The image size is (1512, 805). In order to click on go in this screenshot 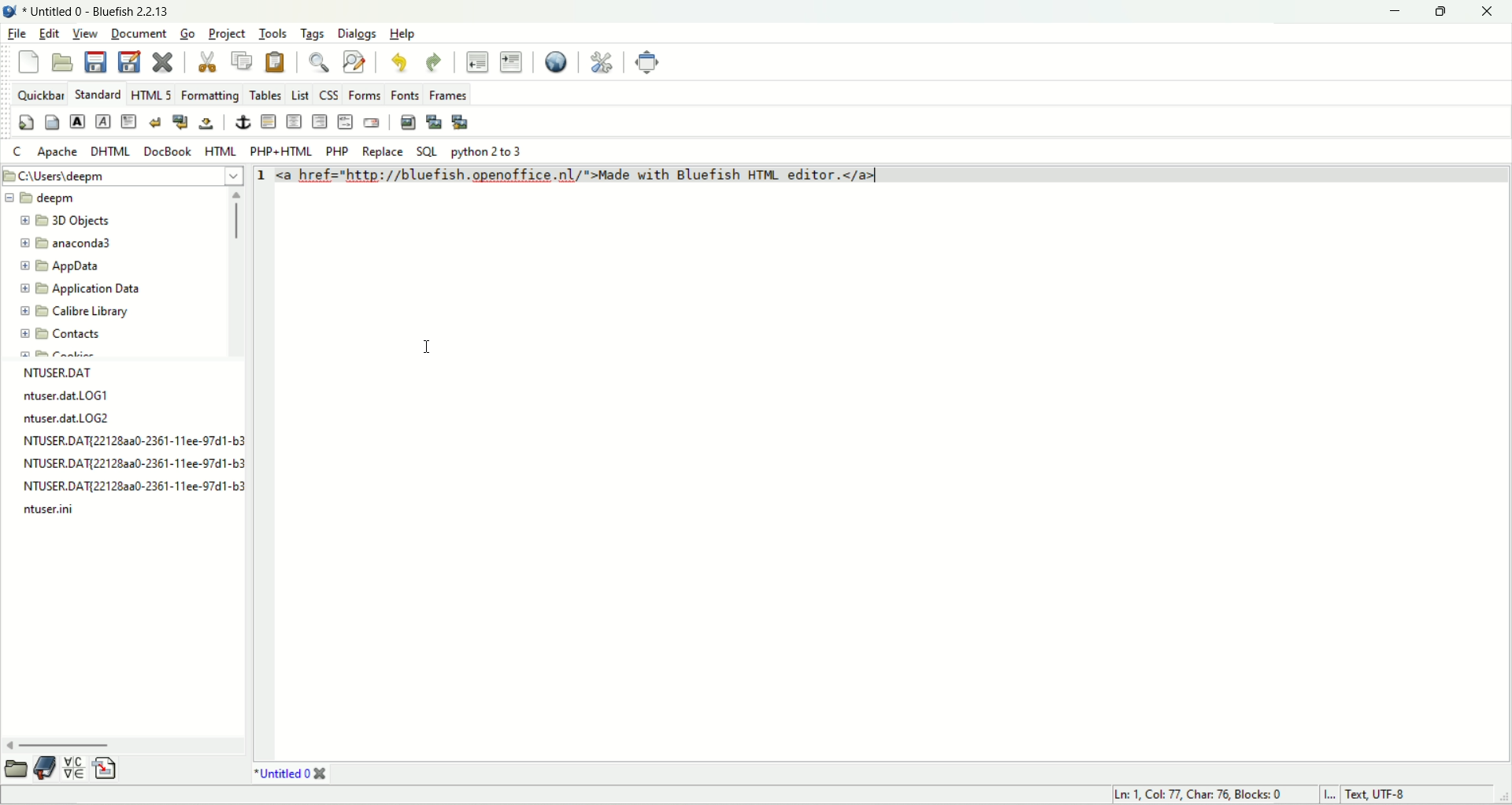, I will do `click(185, 35)`.